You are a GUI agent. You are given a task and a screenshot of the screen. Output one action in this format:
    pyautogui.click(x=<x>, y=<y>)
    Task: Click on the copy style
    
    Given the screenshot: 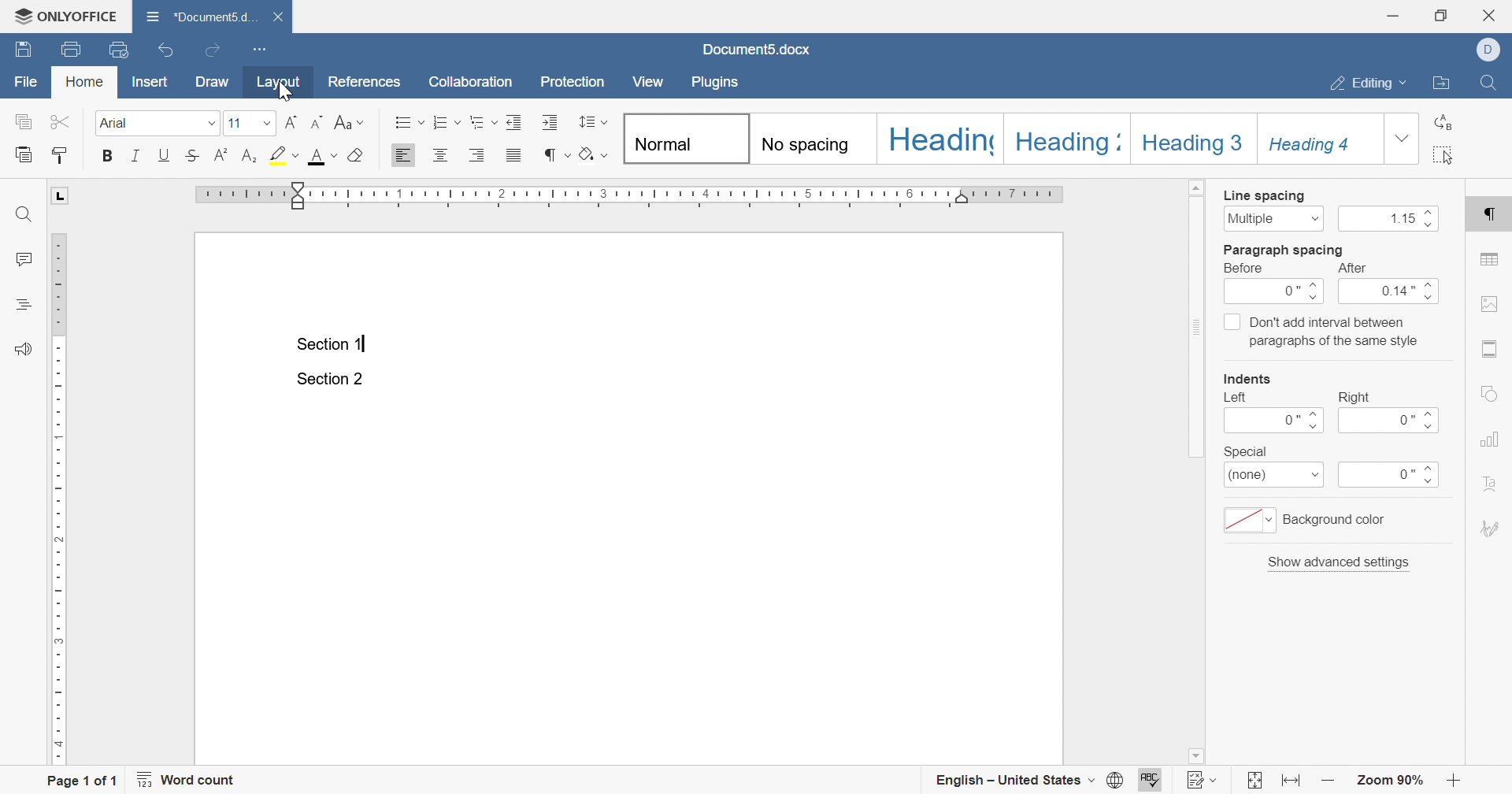 What is the action you would take?
    pyautogui.click(x=57, y=156)
    